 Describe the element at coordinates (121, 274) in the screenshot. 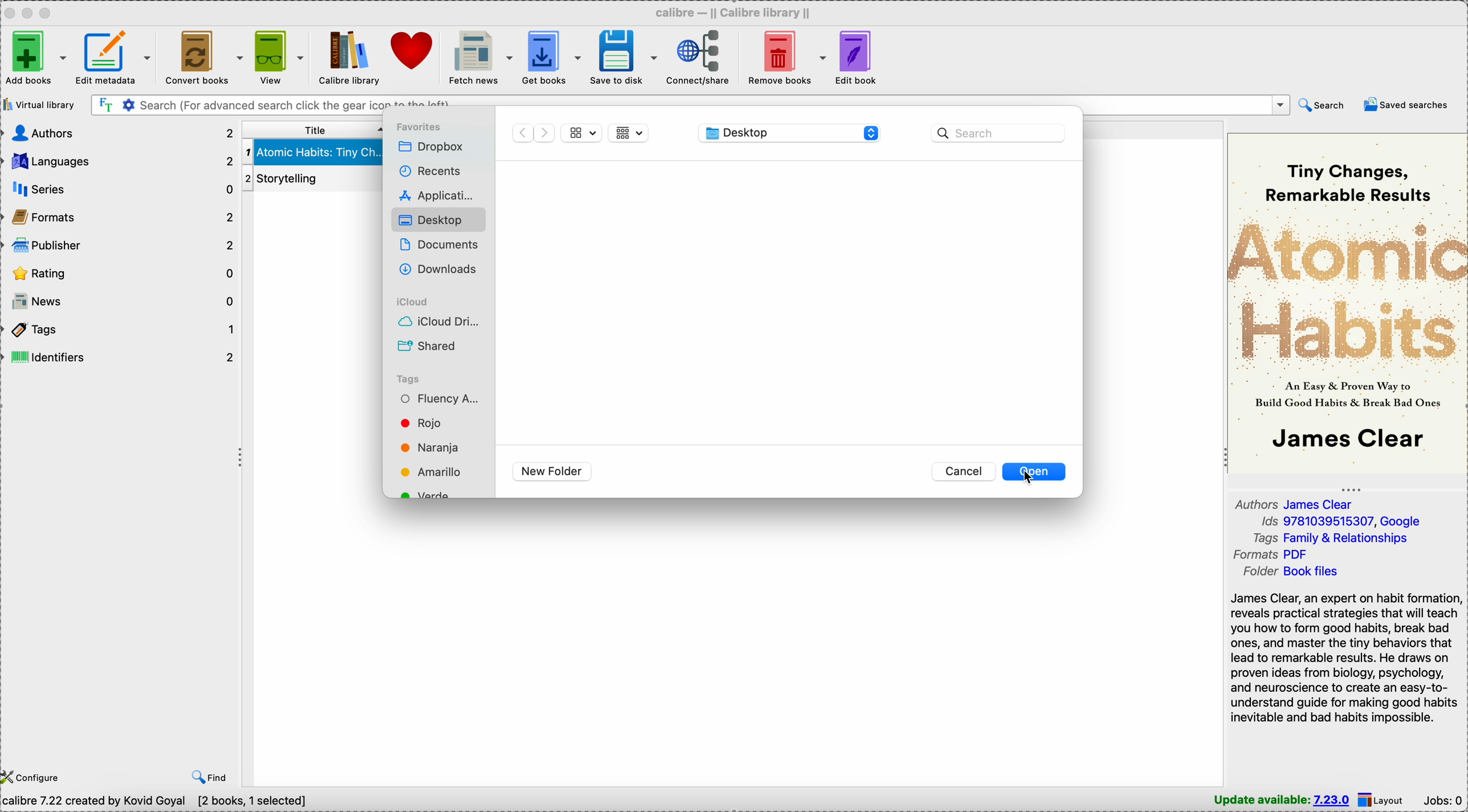

I see `rating` at that location.